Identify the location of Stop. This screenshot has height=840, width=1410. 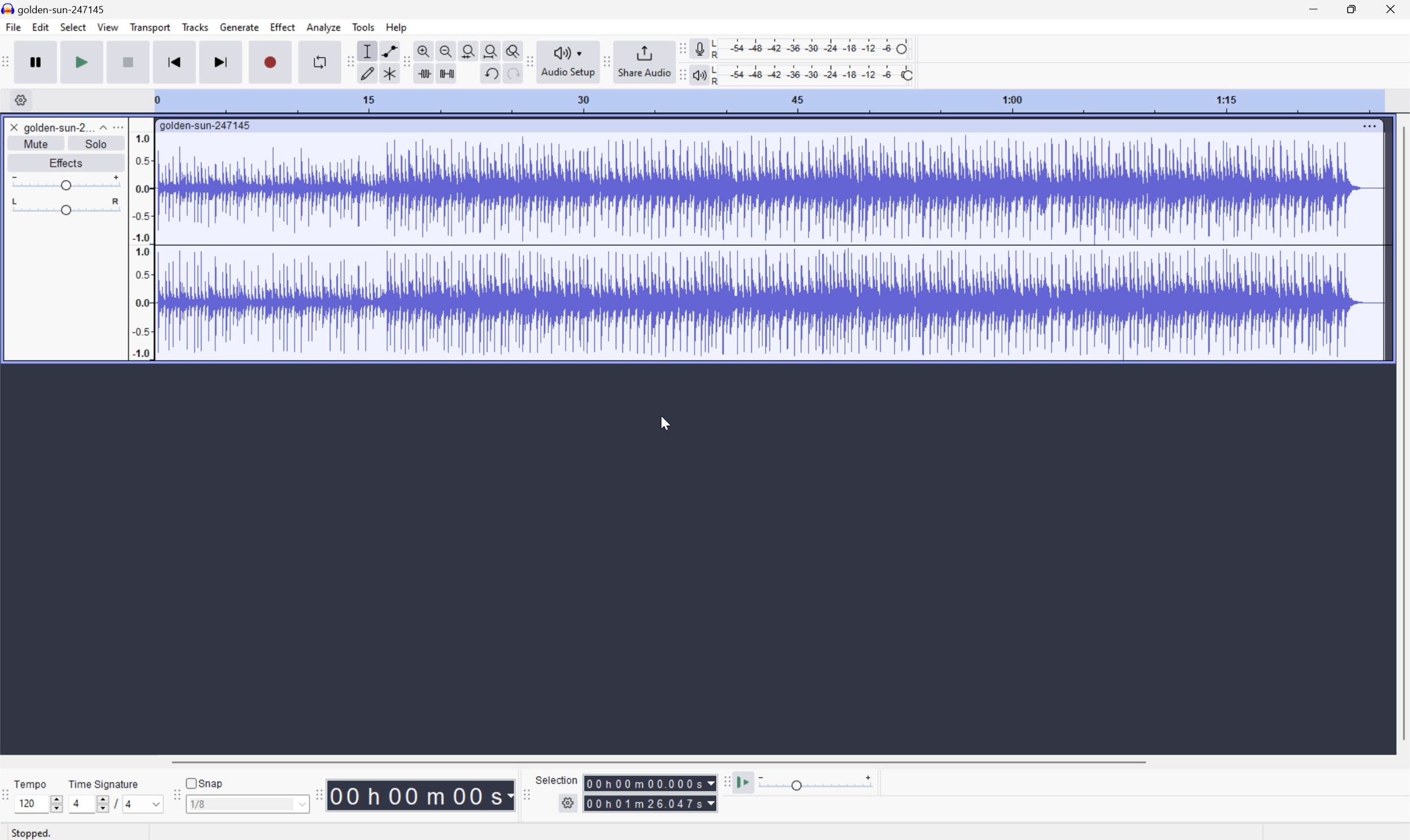
(127, 62).